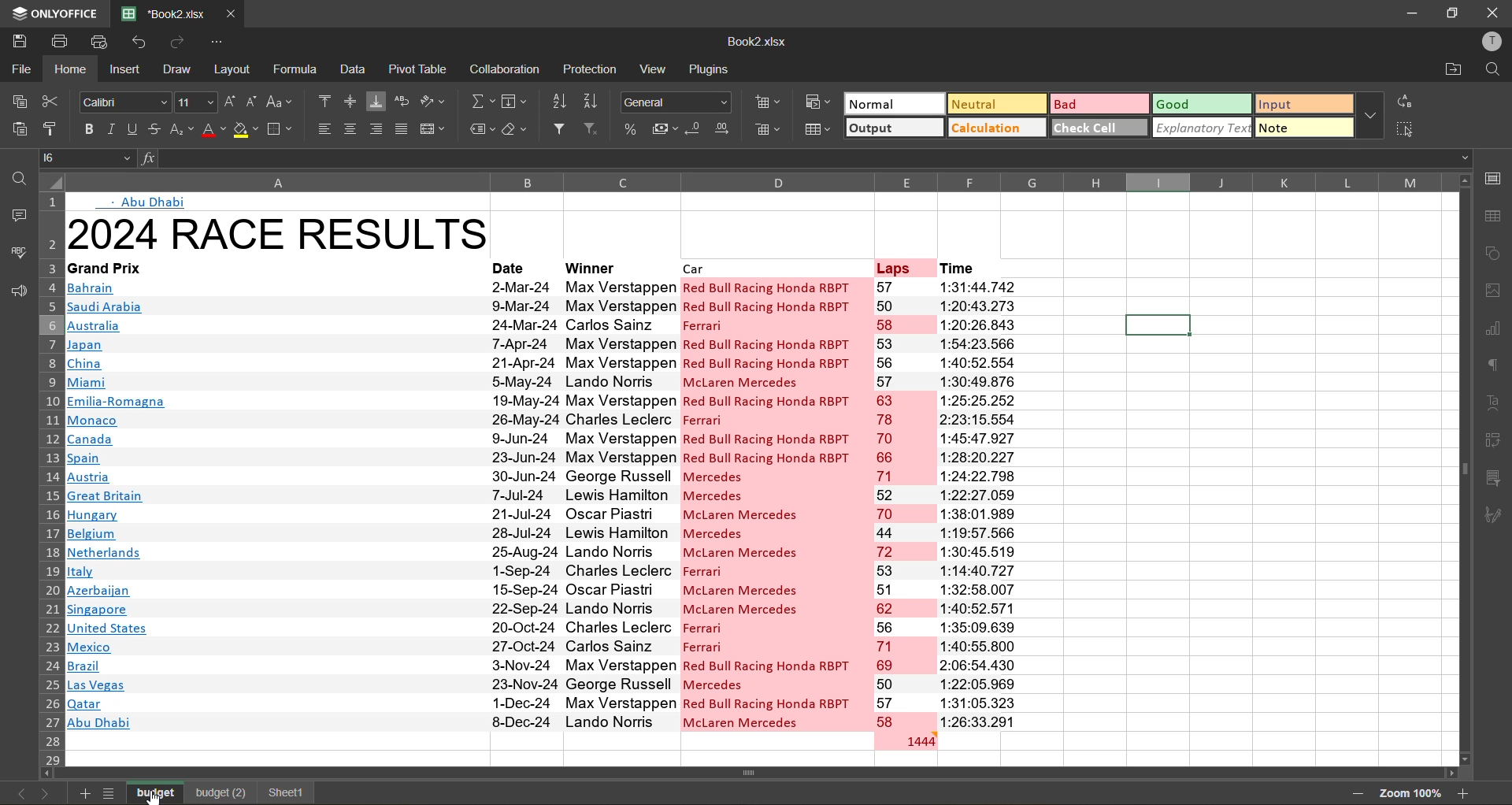 This screenshot has height=805, width=1512. Describe the element at coordinates (657, 69) in the screenshot. I see `view` at that location.